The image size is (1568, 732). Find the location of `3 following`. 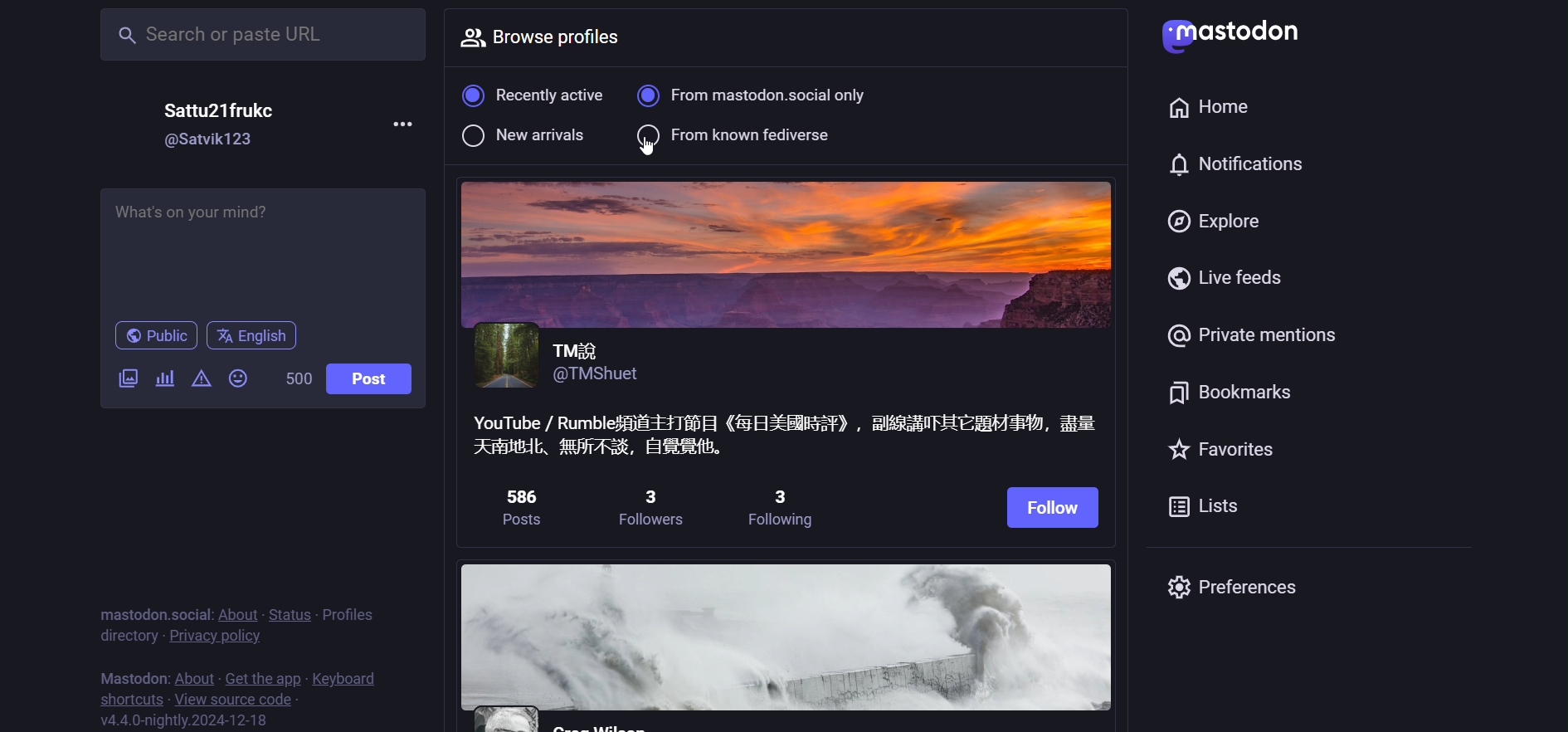

3 following is located at coordinates (784, 509).